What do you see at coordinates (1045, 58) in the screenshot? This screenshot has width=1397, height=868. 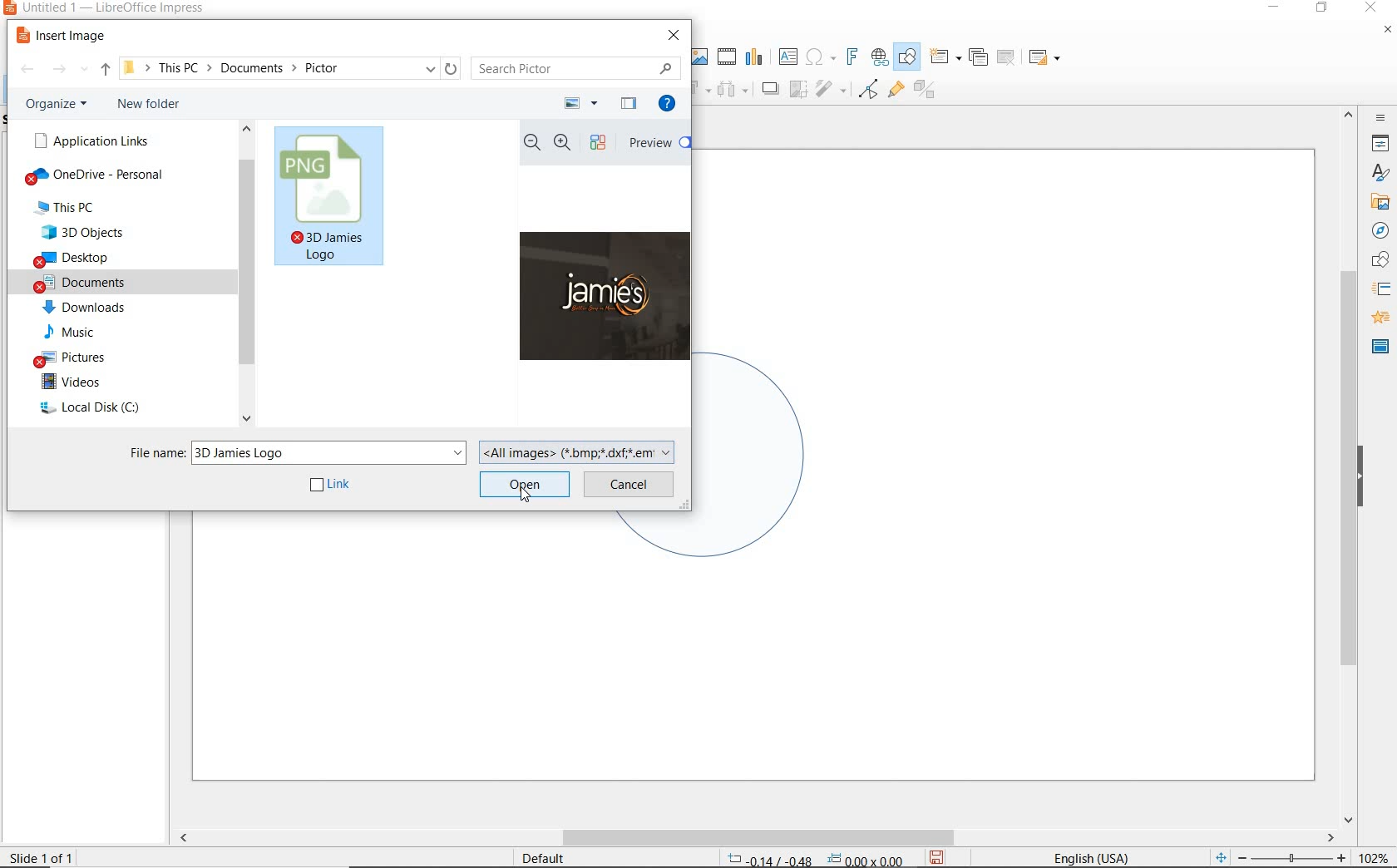 I see `slide layout` at bounding box center [1045, 58].